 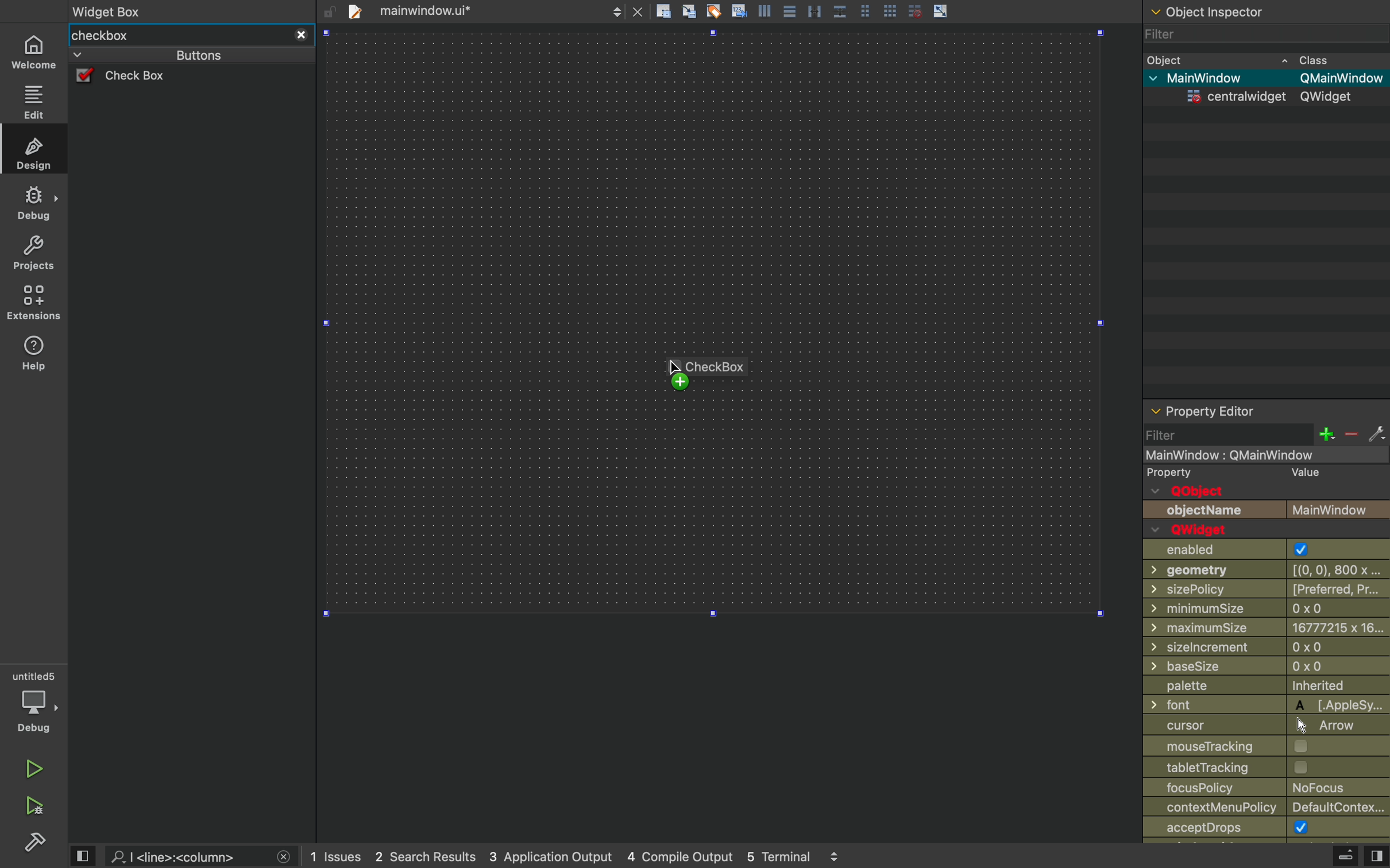 I want to click on mouse tracking, so click(x=1265, y=745).